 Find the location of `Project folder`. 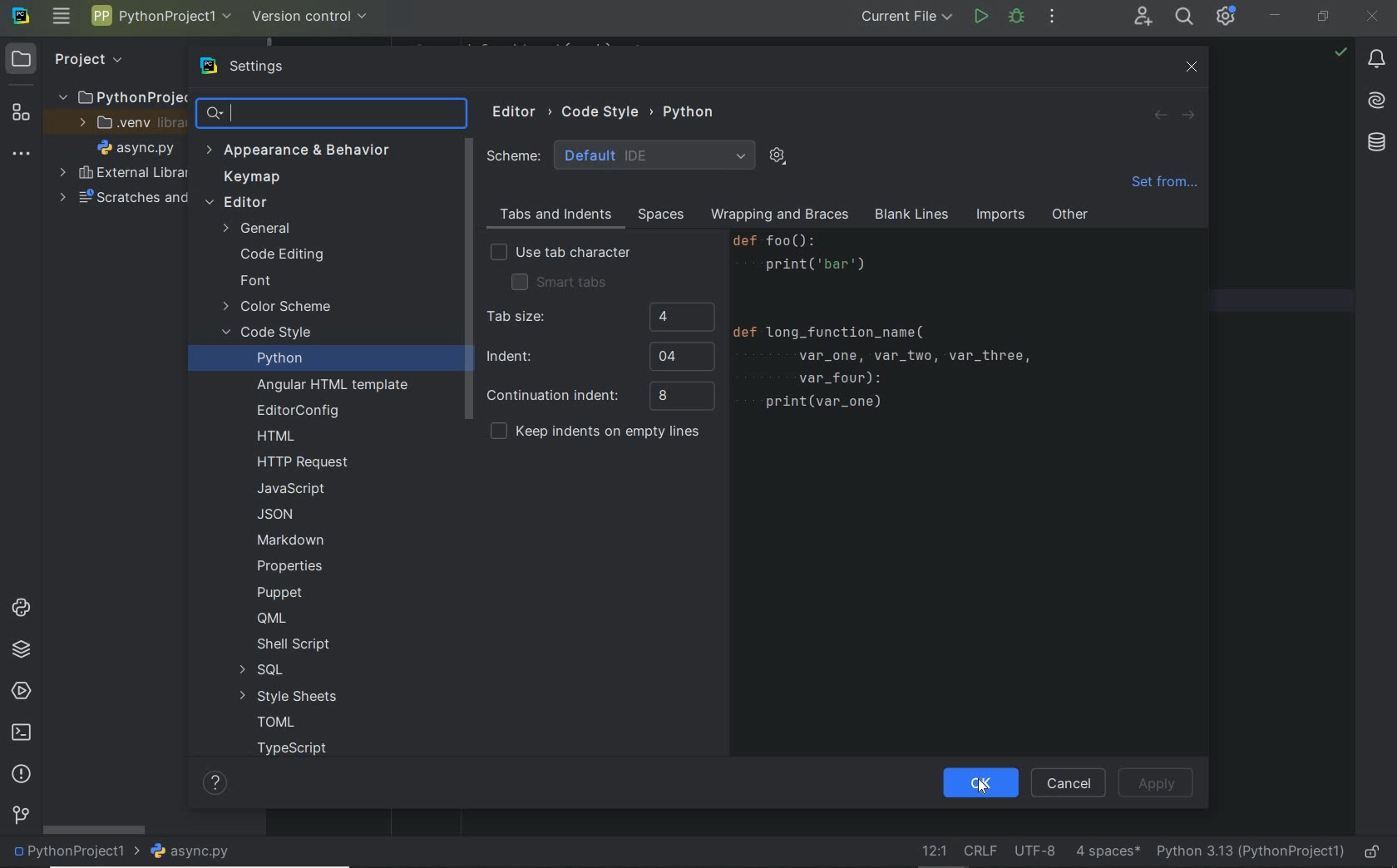

Project folder is located at coordinates (117, 96).